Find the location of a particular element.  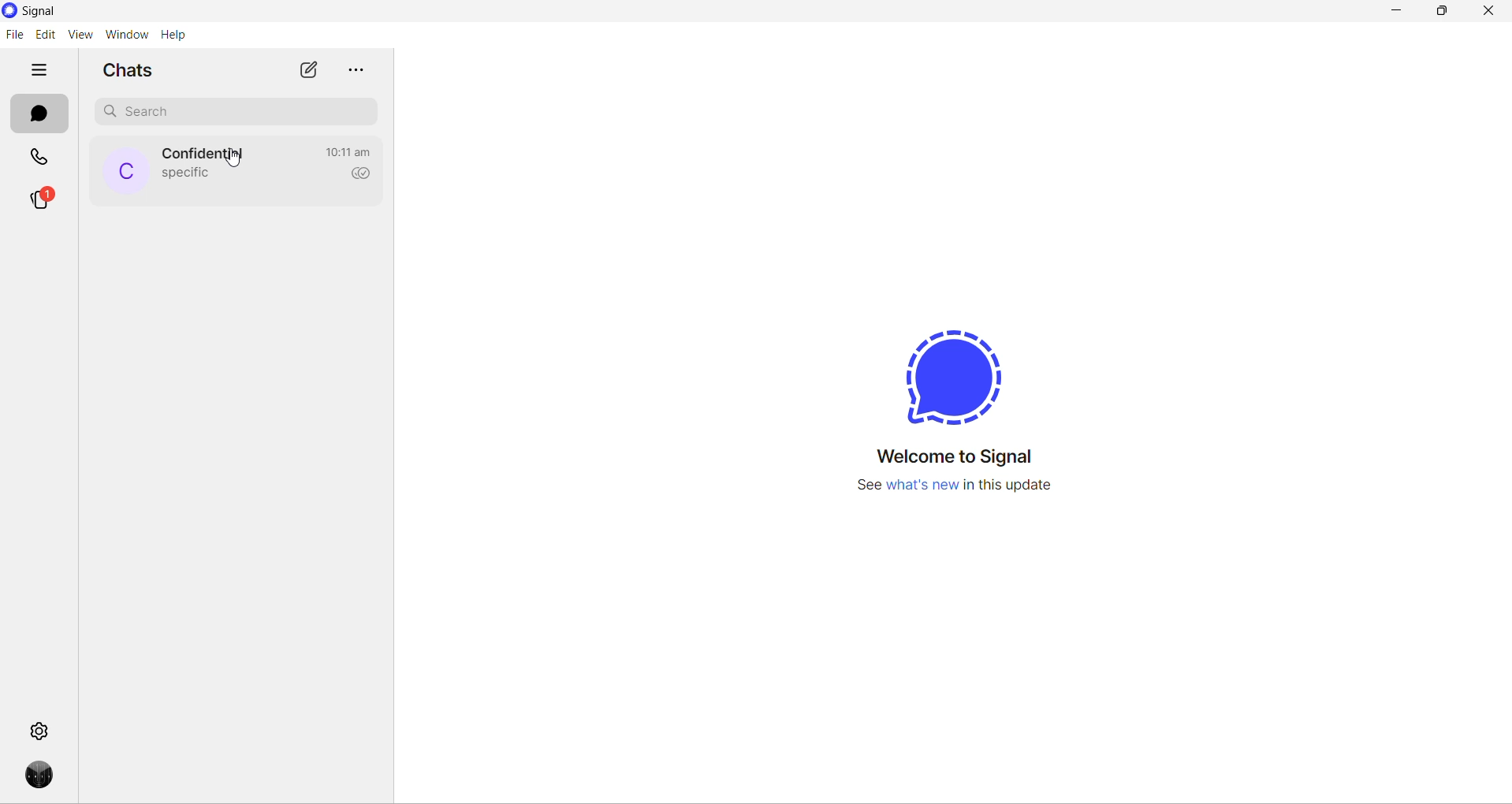

help is located at coordinates (173, 35).